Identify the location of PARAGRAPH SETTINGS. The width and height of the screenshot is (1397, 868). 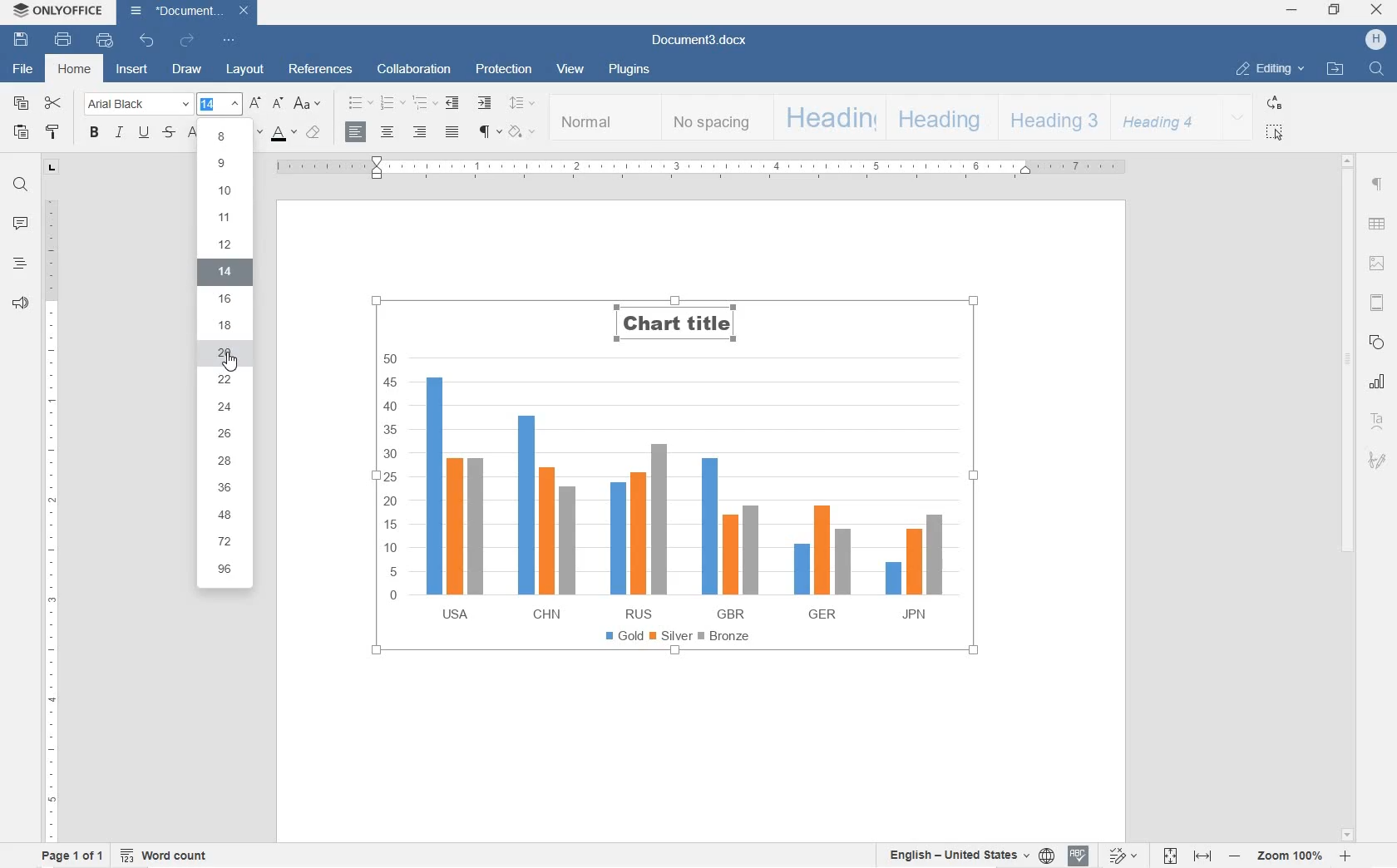
(1377, 184).